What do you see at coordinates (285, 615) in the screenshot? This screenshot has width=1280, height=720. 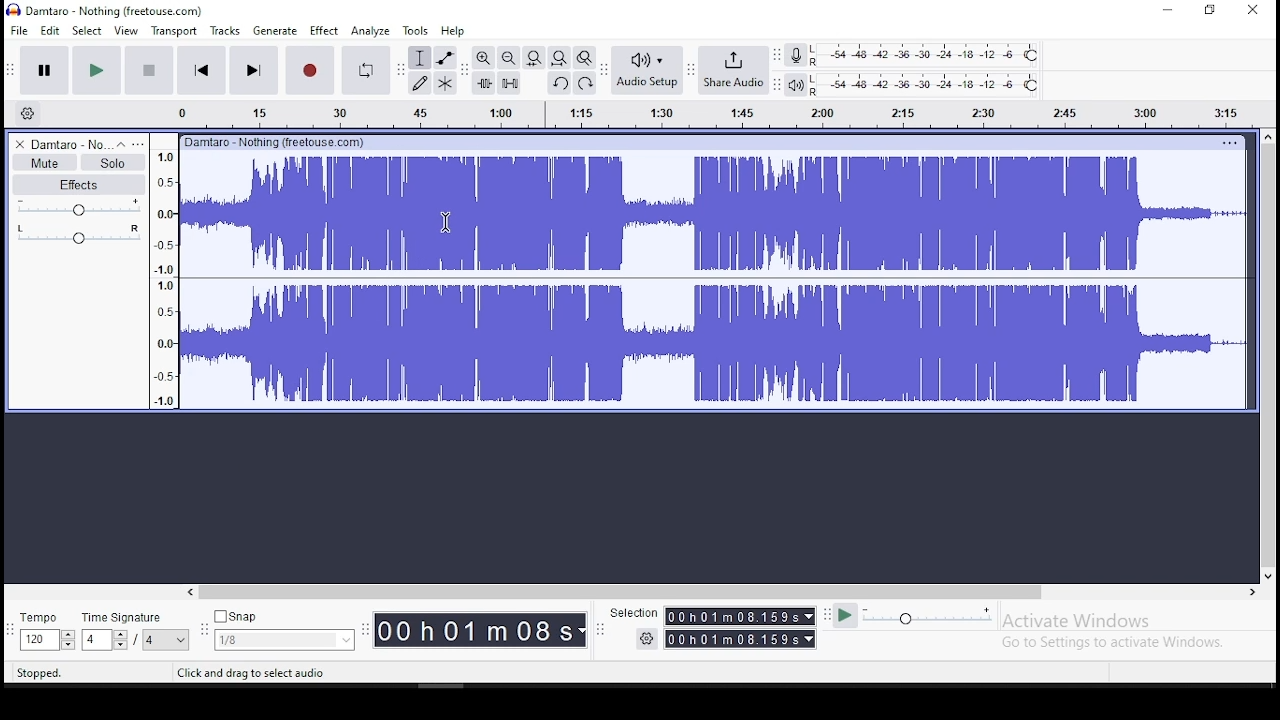 I see `snap` at bounding box center [285, 615].